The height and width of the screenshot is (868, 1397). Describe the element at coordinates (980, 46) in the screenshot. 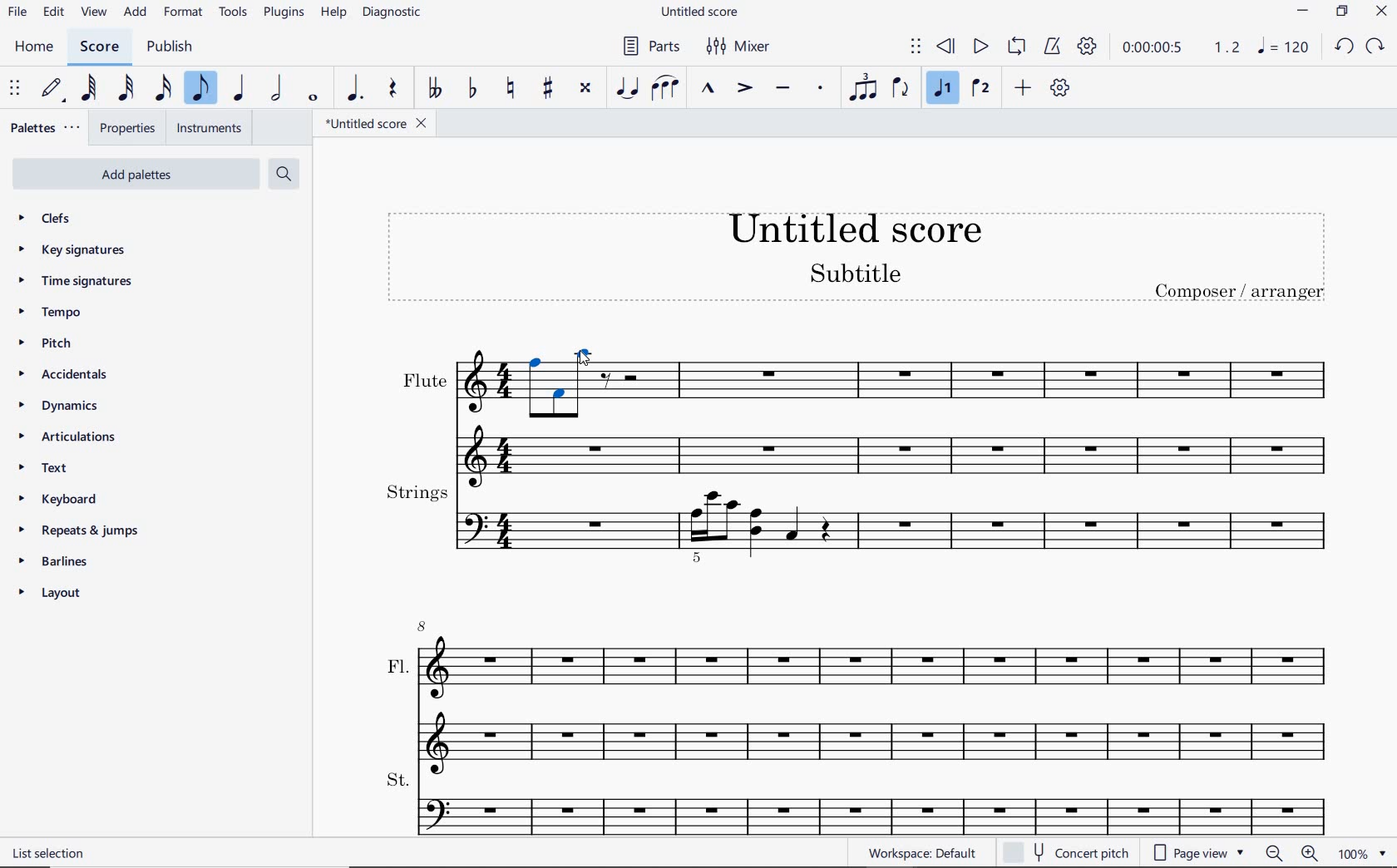

I see `PLAY` at that location.